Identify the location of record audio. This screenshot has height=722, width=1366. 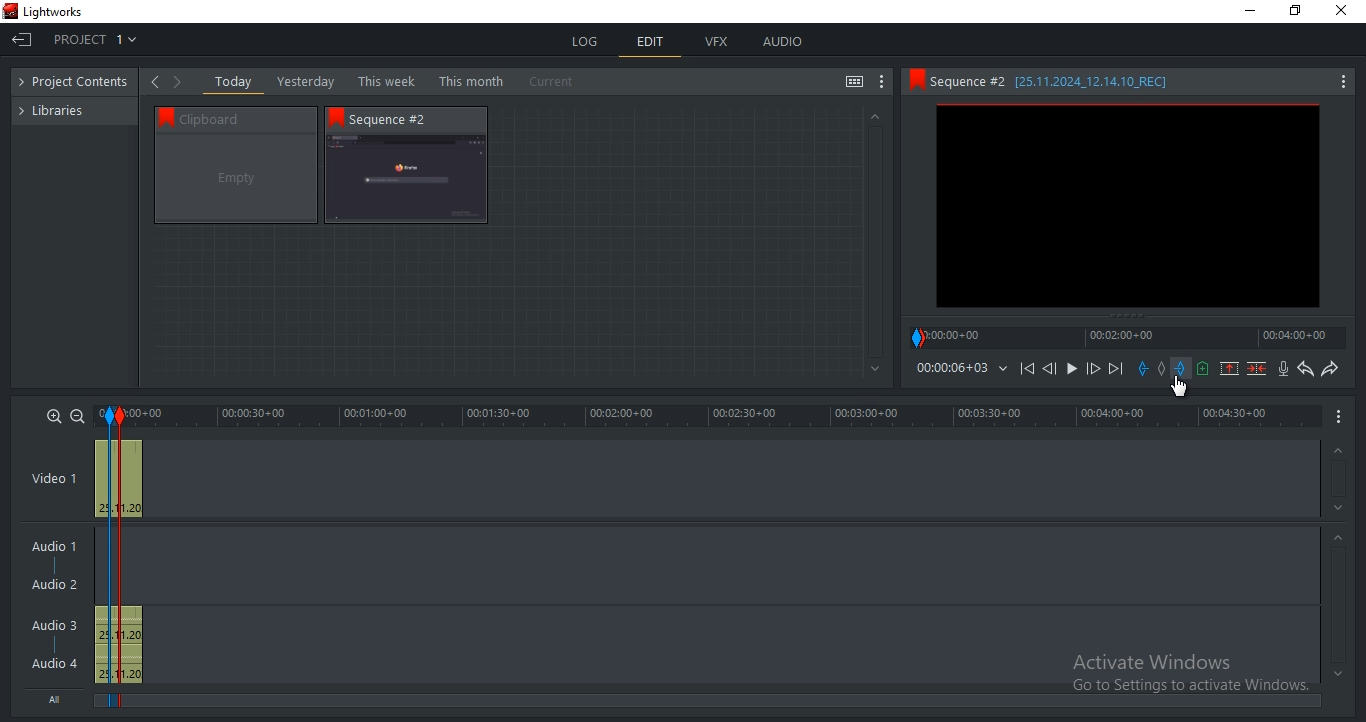
(1285, 369).